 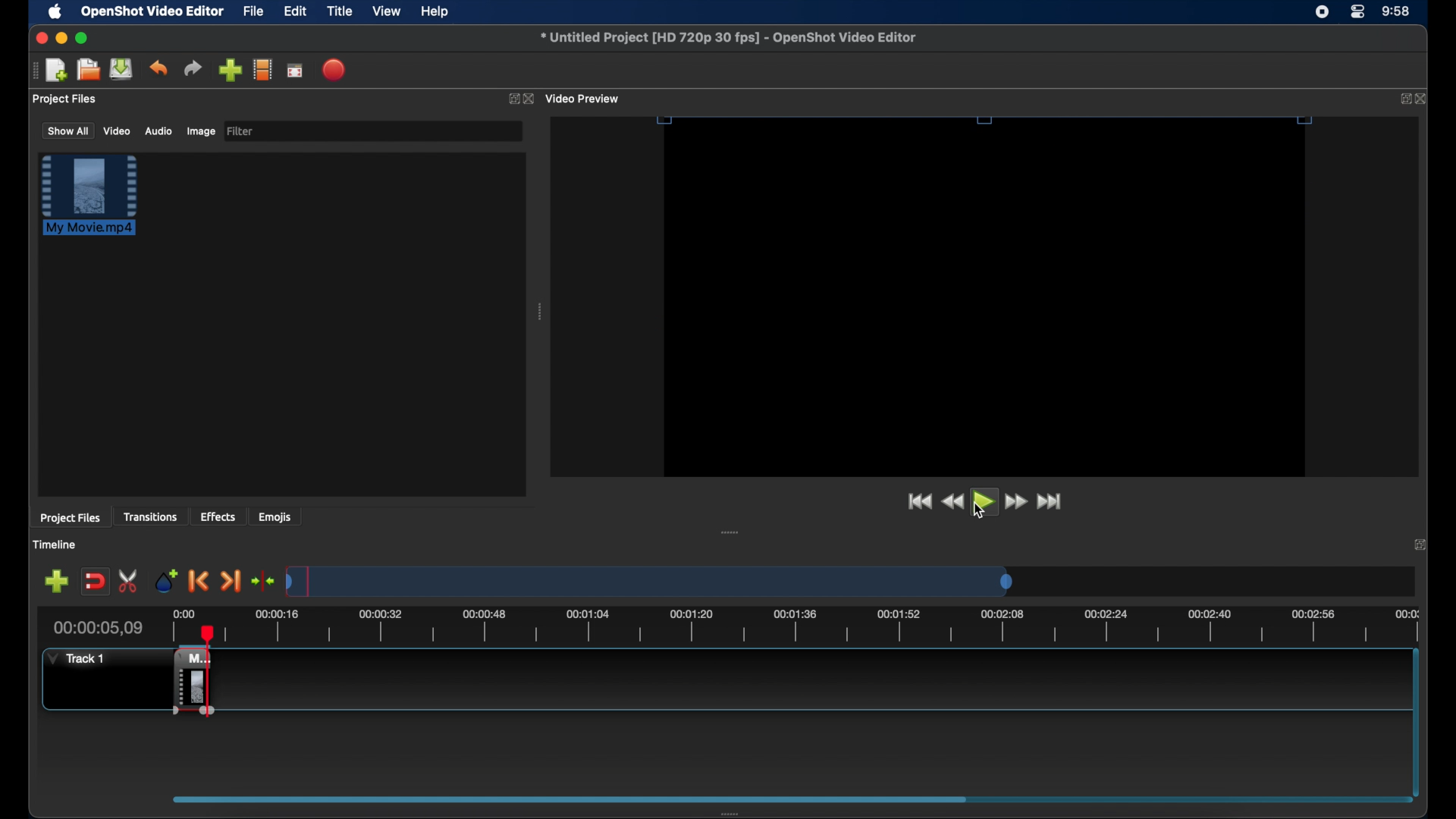 I want to click on rewind, so click(x=952, y=502).